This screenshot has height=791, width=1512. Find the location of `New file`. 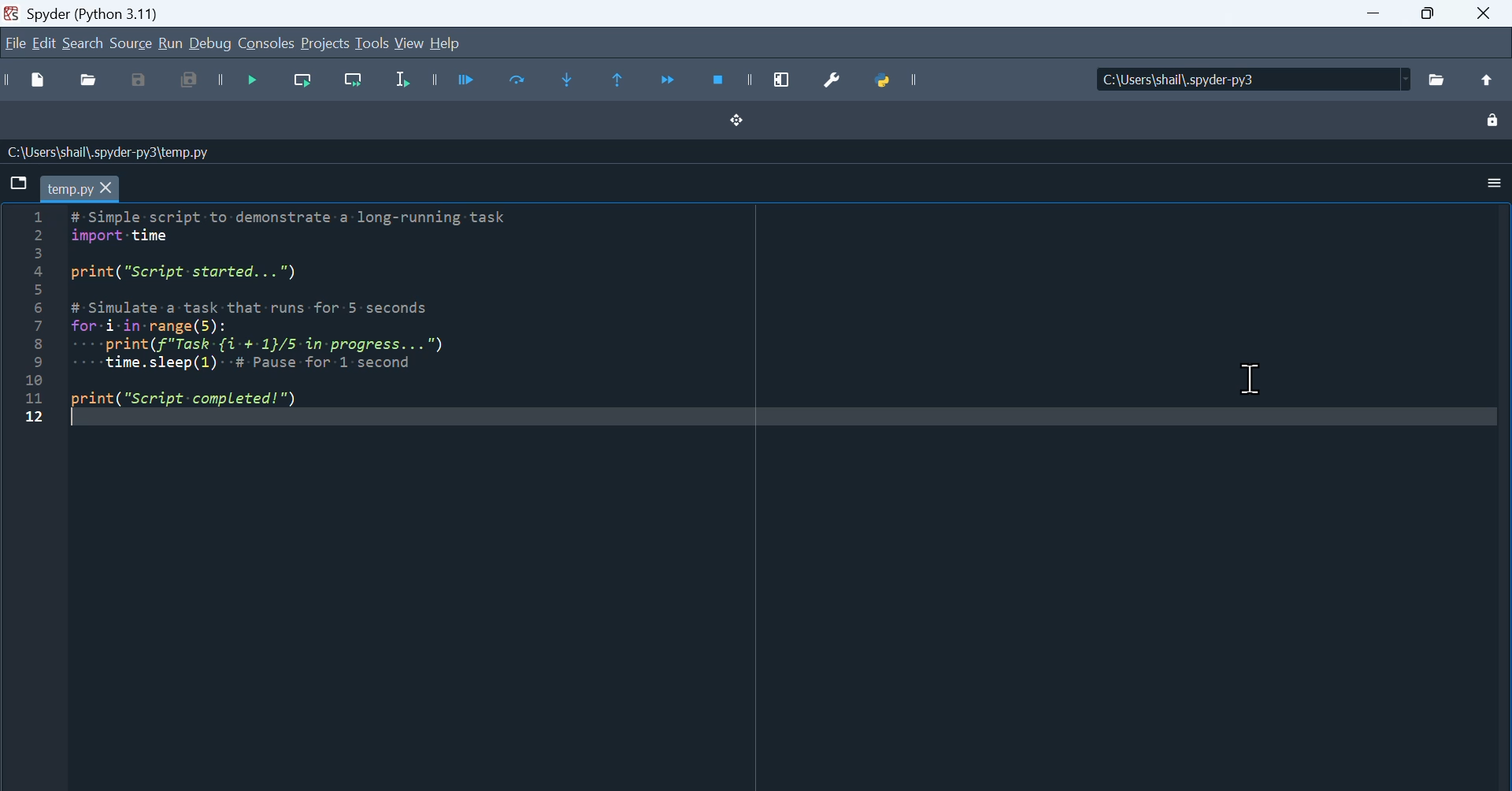

New file is located at coordinates (37, 80).